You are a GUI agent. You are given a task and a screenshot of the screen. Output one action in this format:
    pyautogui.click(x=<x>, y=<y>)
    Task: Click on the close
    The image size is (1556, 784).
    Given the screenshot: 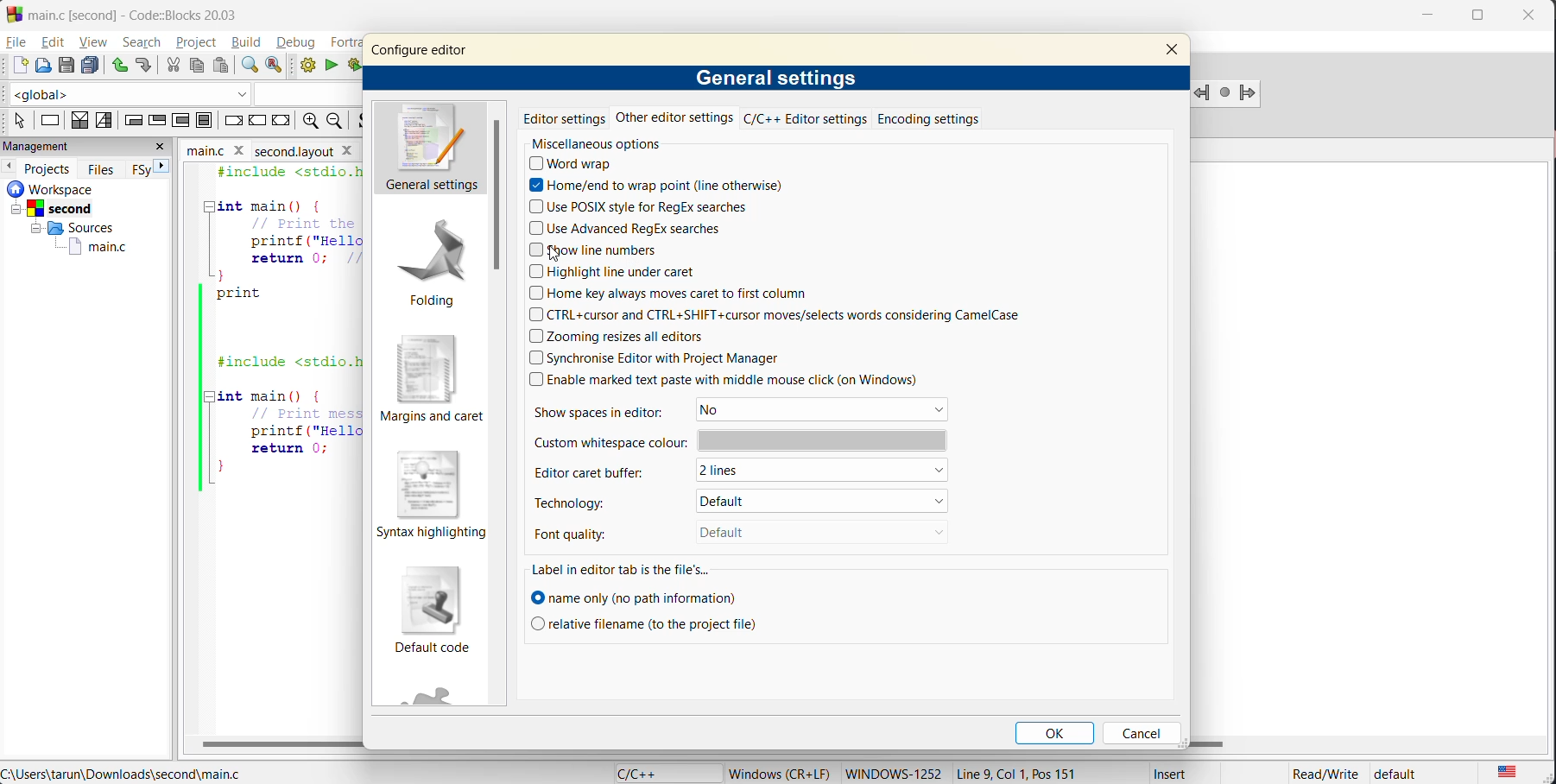 What is the action you would take?
    pyautogui.click(x=239, y=149)
    